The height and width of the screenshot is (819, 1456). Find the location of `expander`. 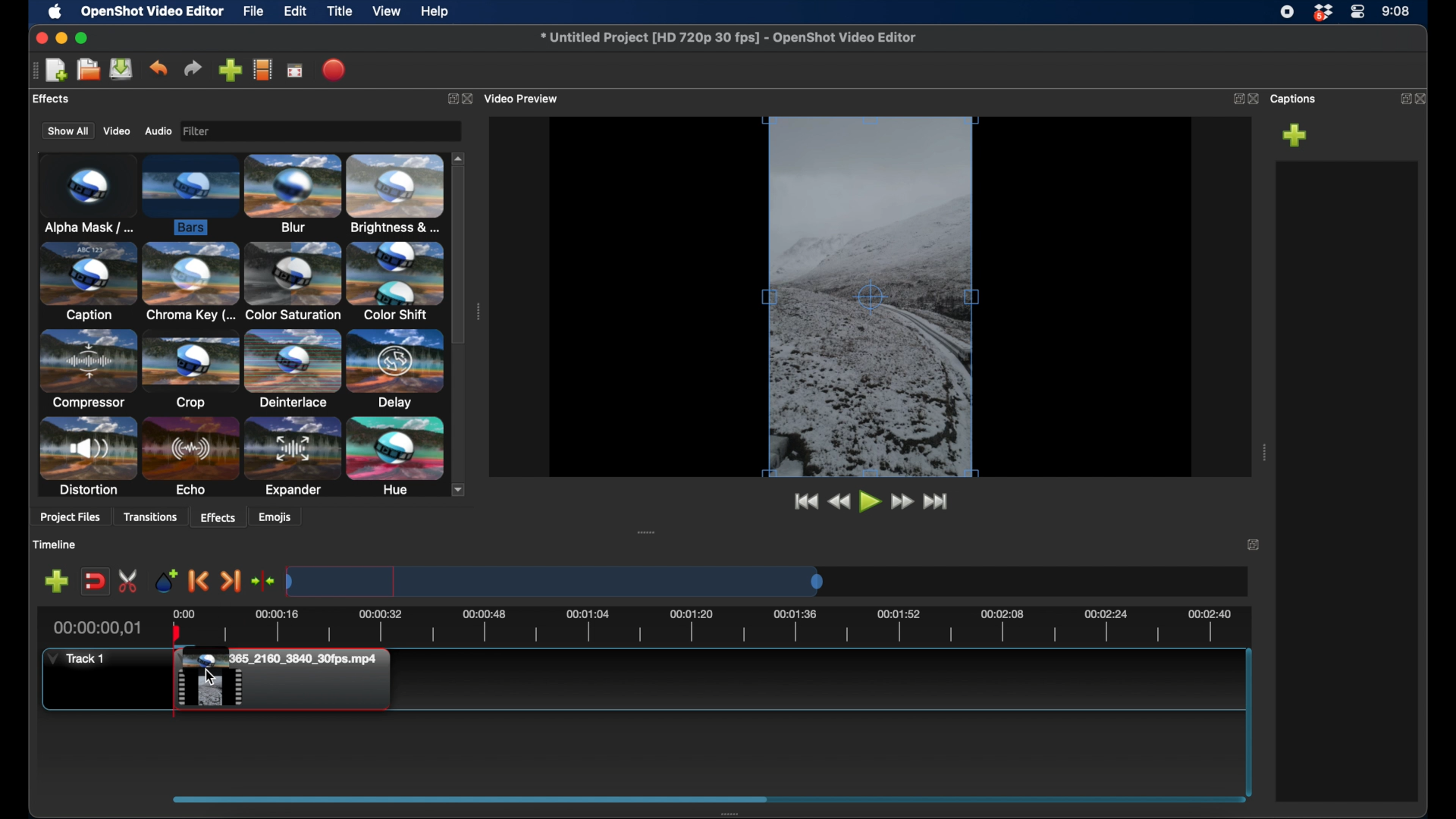

expander is located at coordinates (291, 457).